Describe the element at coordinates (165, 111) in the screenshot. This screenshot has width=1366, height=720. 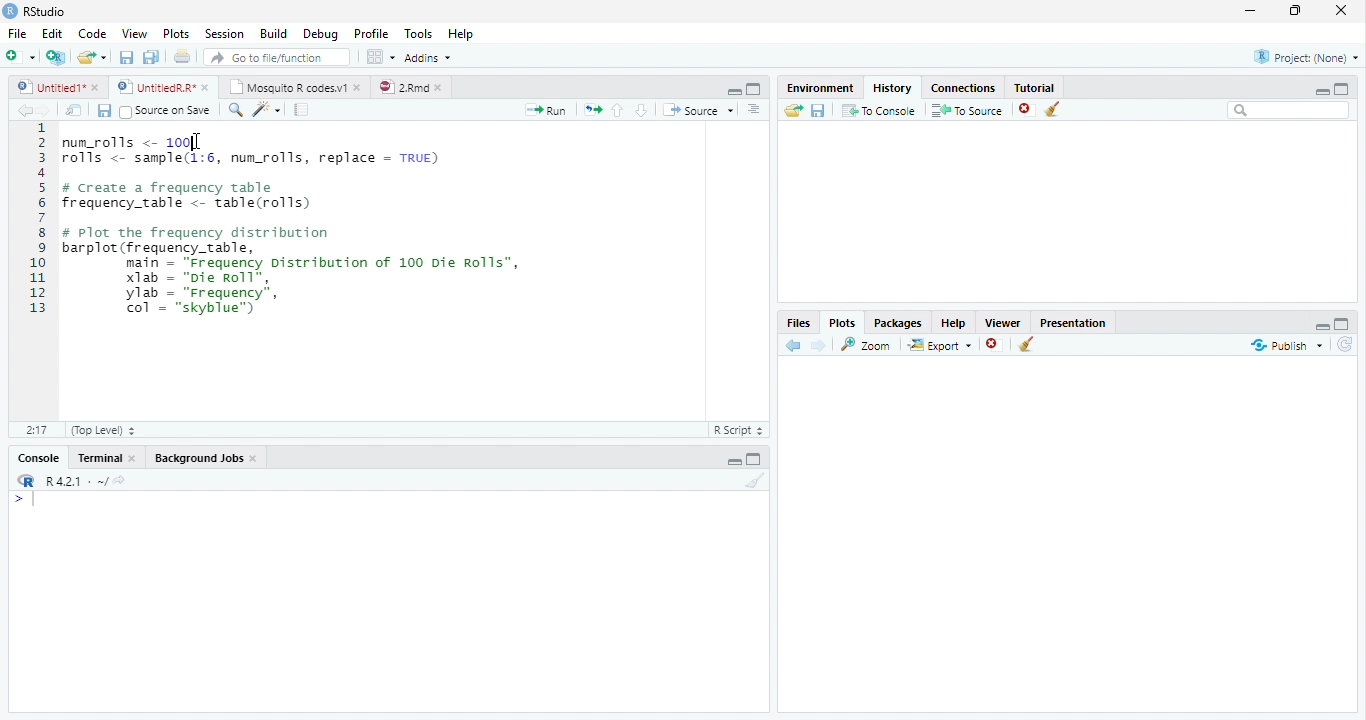
I see `Source on Save` at that location.